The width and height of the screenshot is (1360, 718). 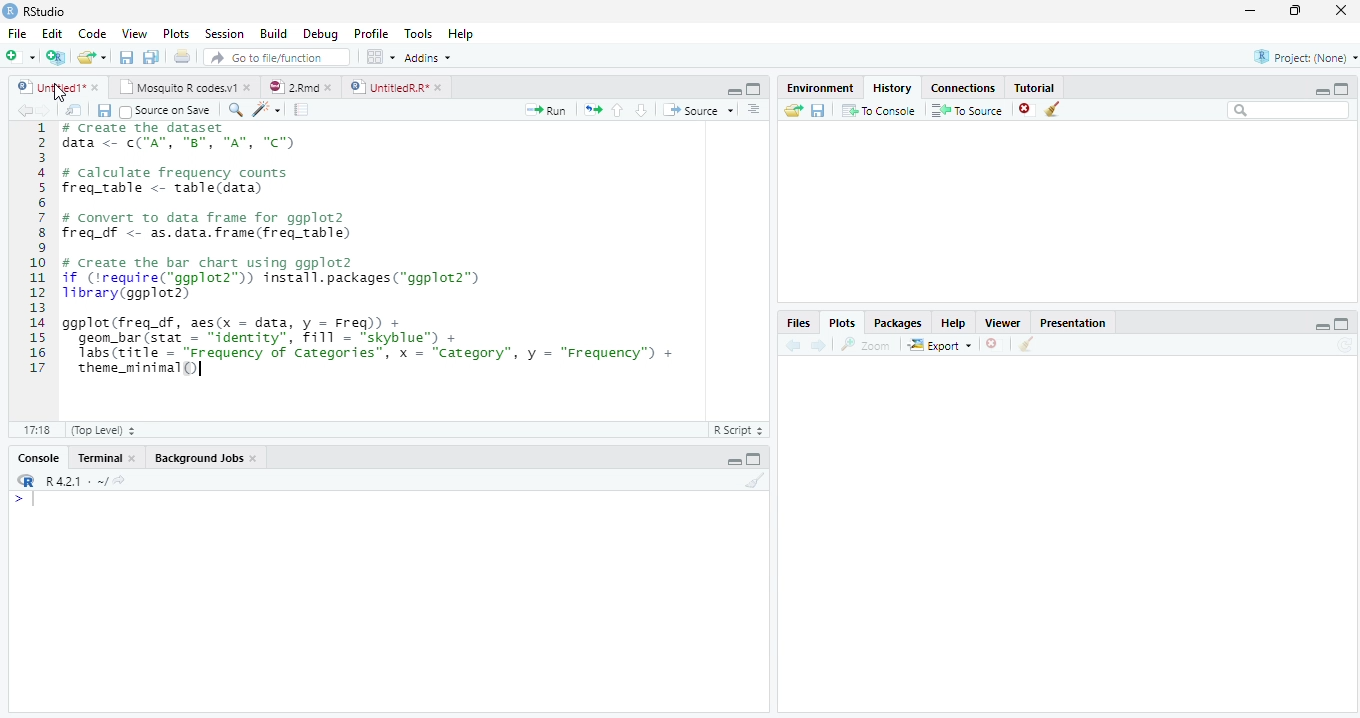 What do you see at coordinates (167, 110) in the screenshot?
I see `Source on Save` at bounding box center [167, 110].